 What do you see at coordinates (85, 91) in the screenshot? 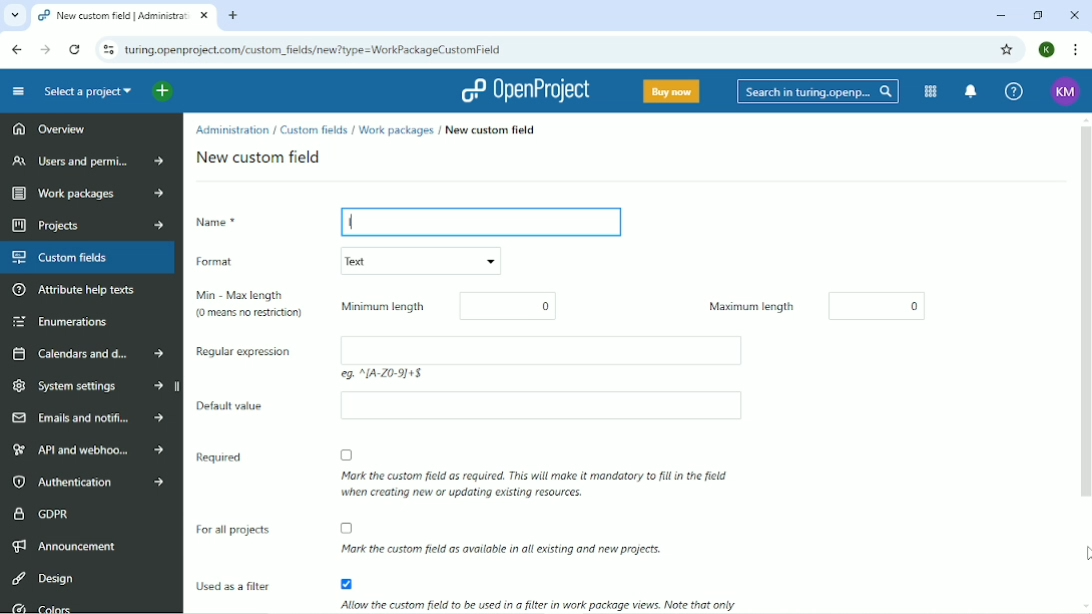
I see `Select a project` at bounding box center [85, 91].